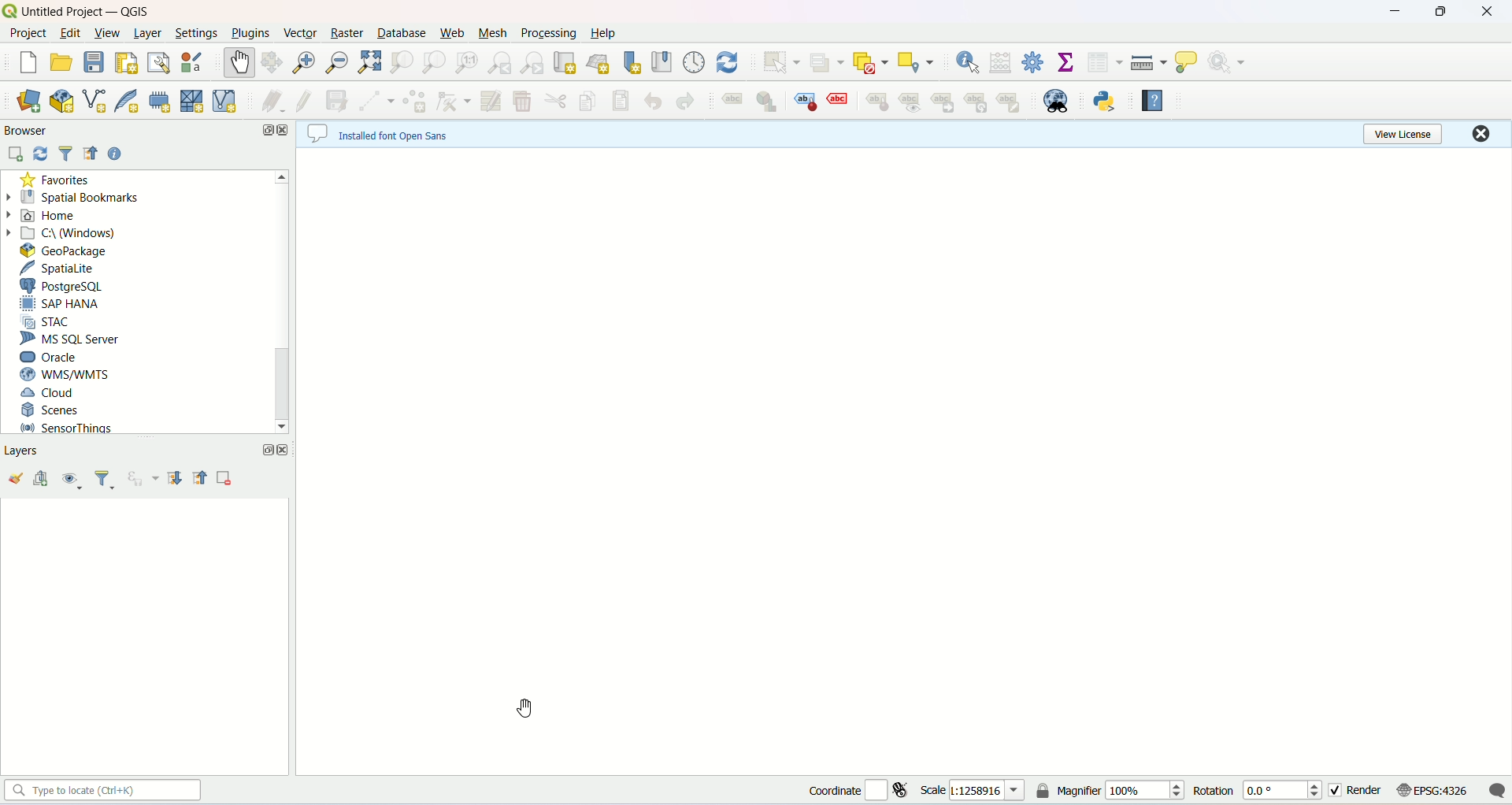 This screenshot has height=805, width=1512. I want to click on raster, so click(346, 33).